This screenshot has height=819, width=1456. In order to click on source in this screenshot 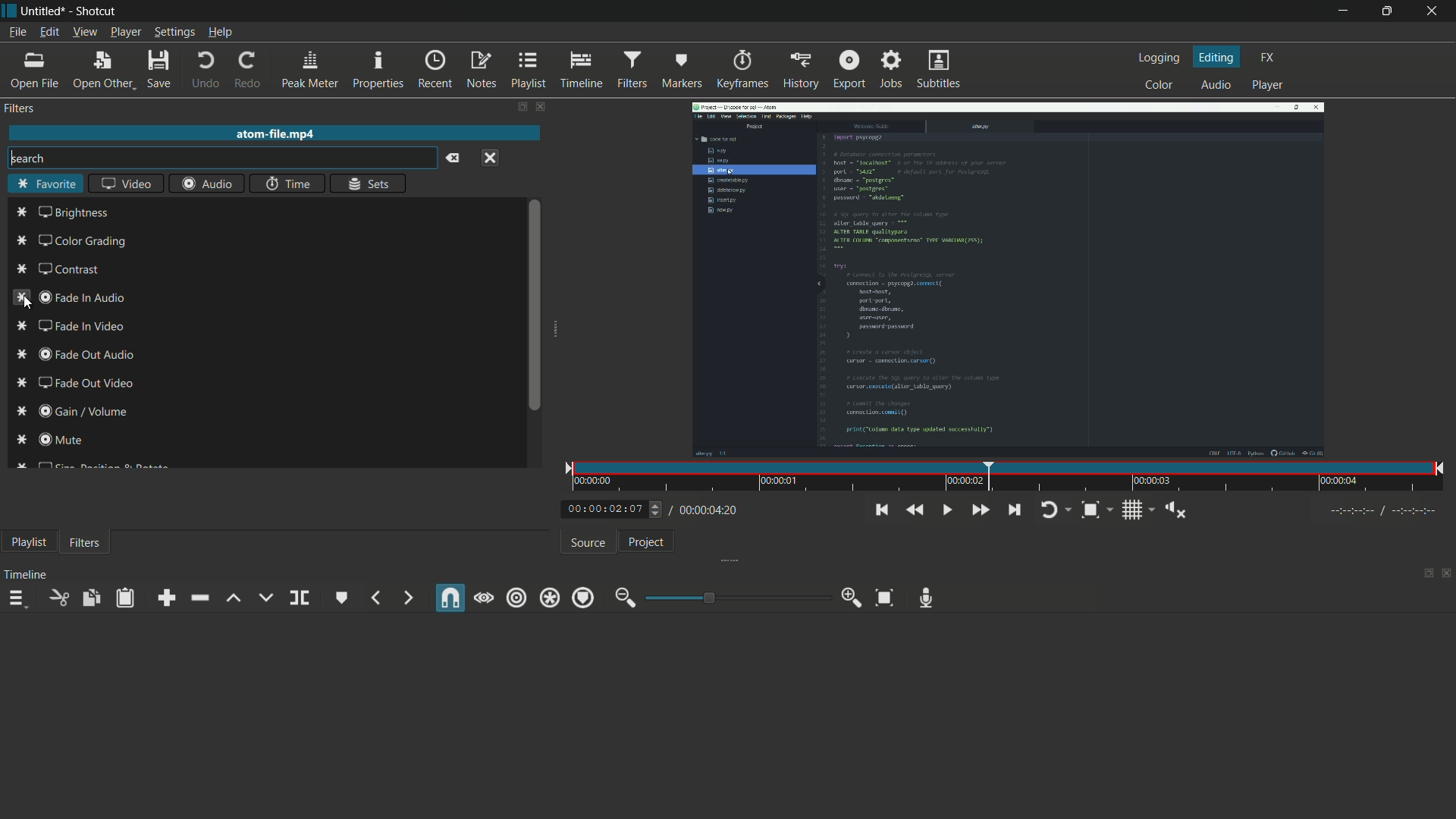, I will do `click(590, 543)`.